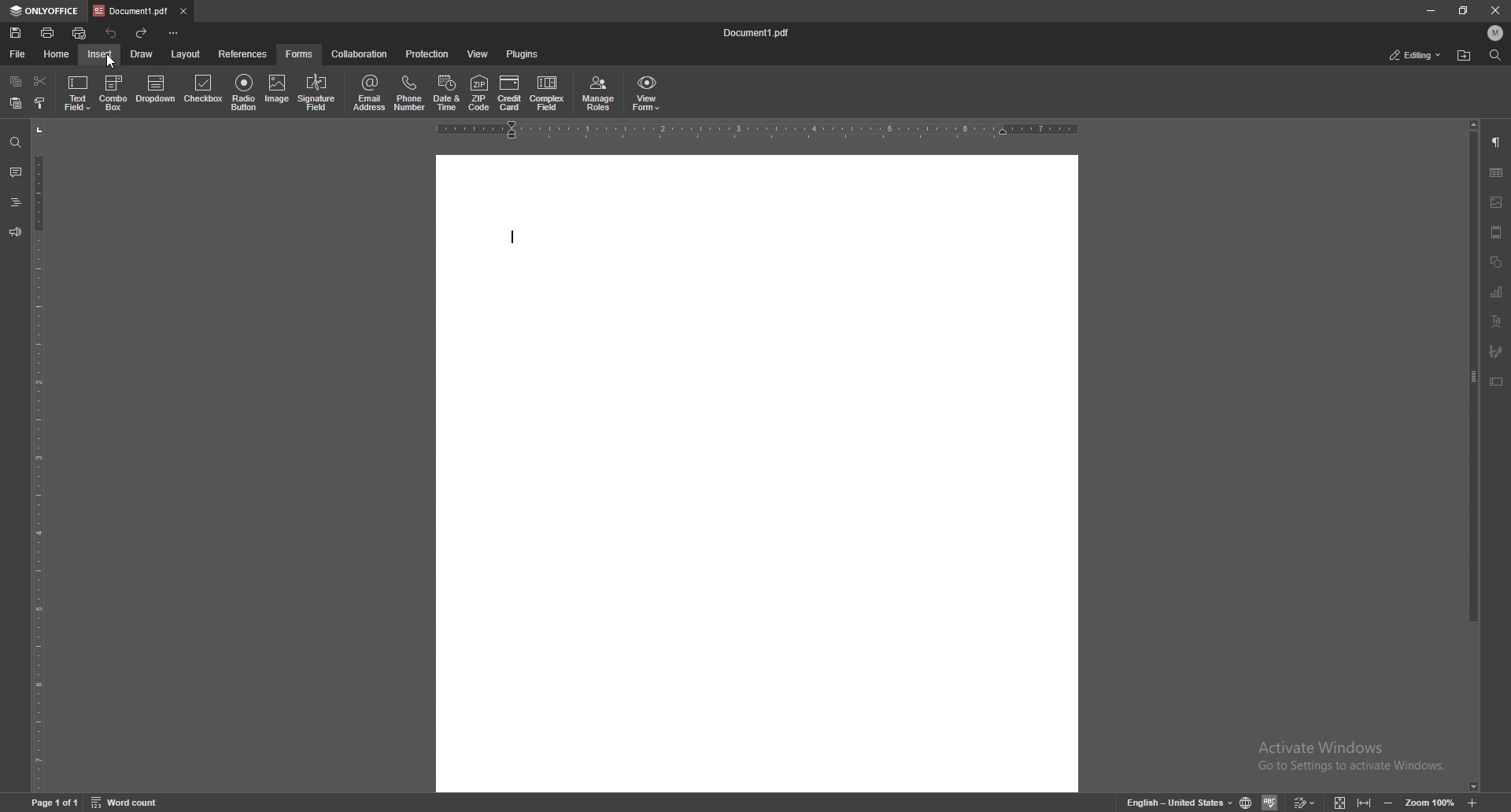 The image size is (1511, 812). I want to click on fit to screen, so click(1340, 803).